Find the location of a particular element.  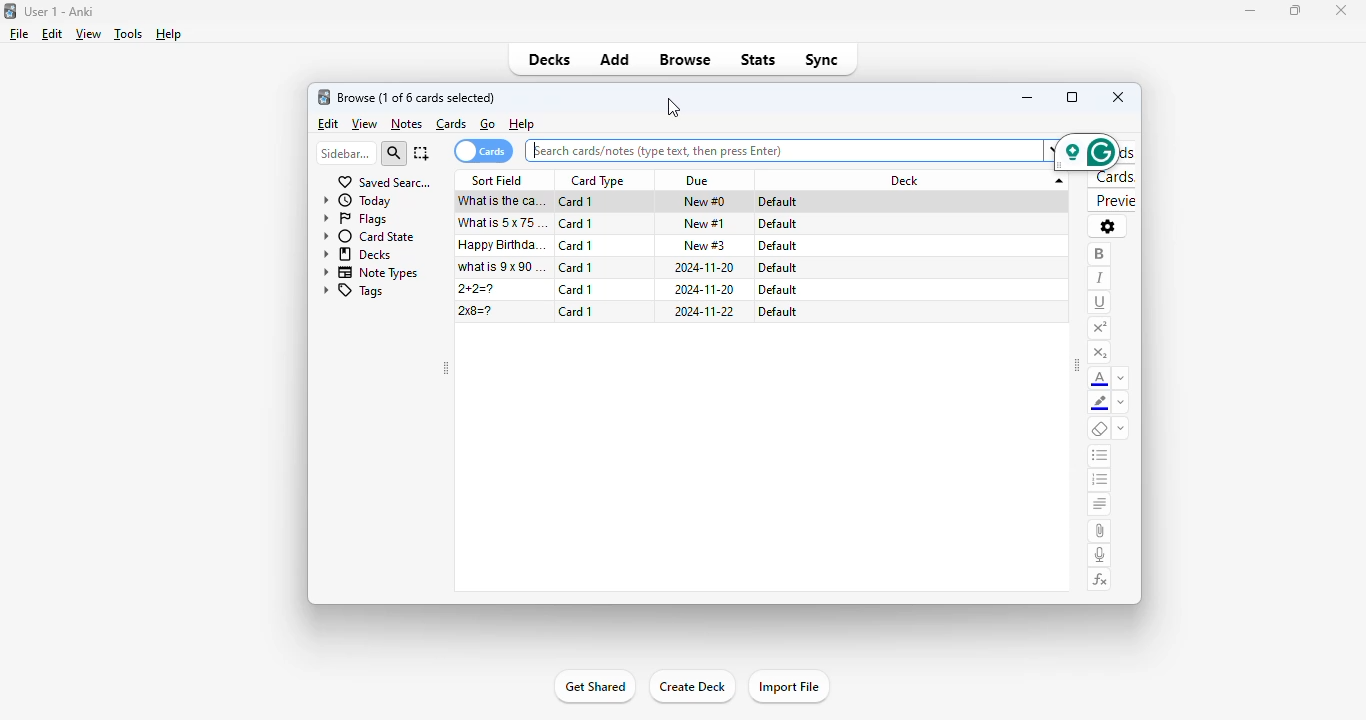

saved searches is located at coordinates (384, 183).